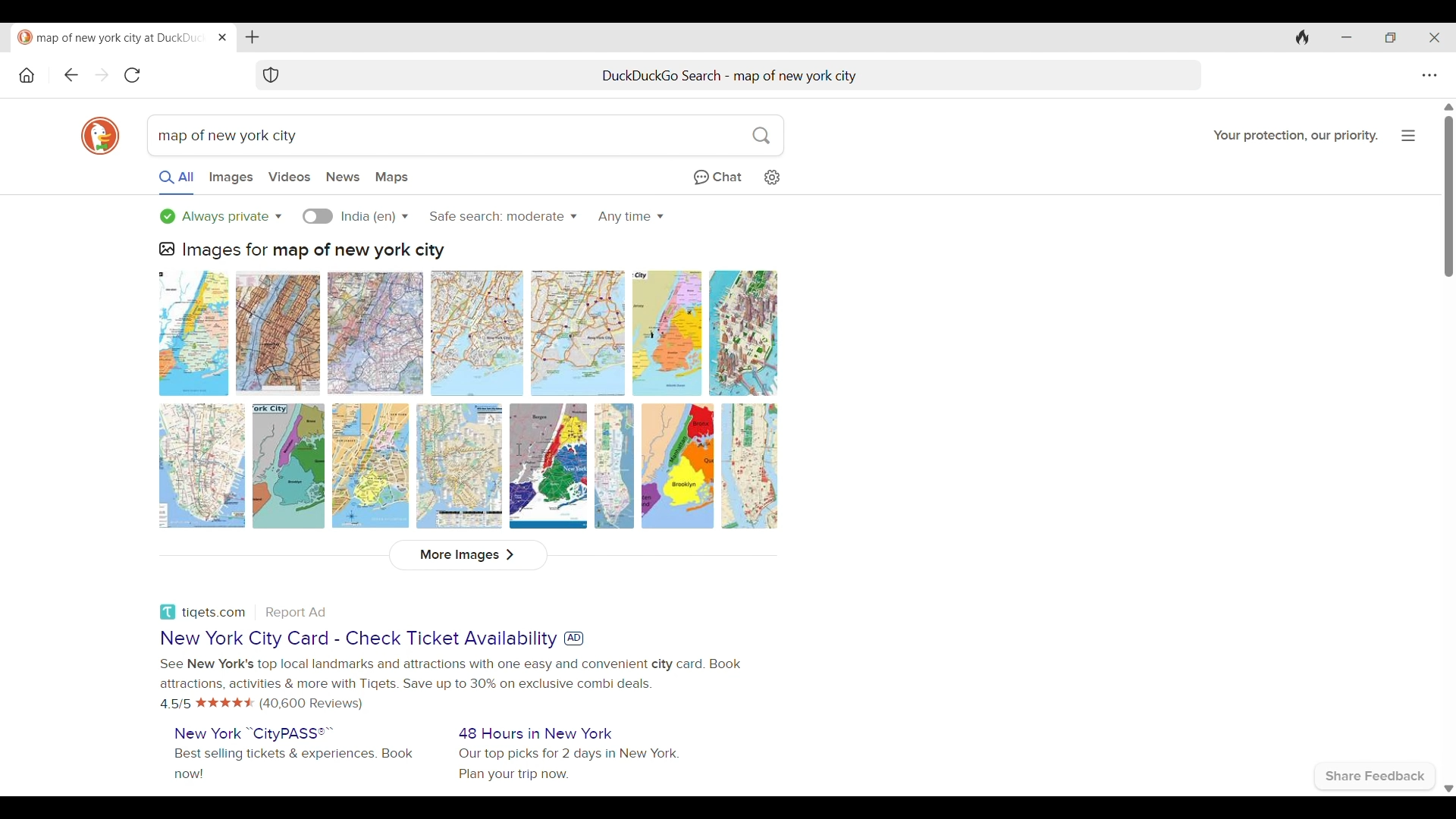  What do you see at coordinates (1448, 107) in the screenshot?
I see `Quick slide to the top` at bounding box center [1448, 107].